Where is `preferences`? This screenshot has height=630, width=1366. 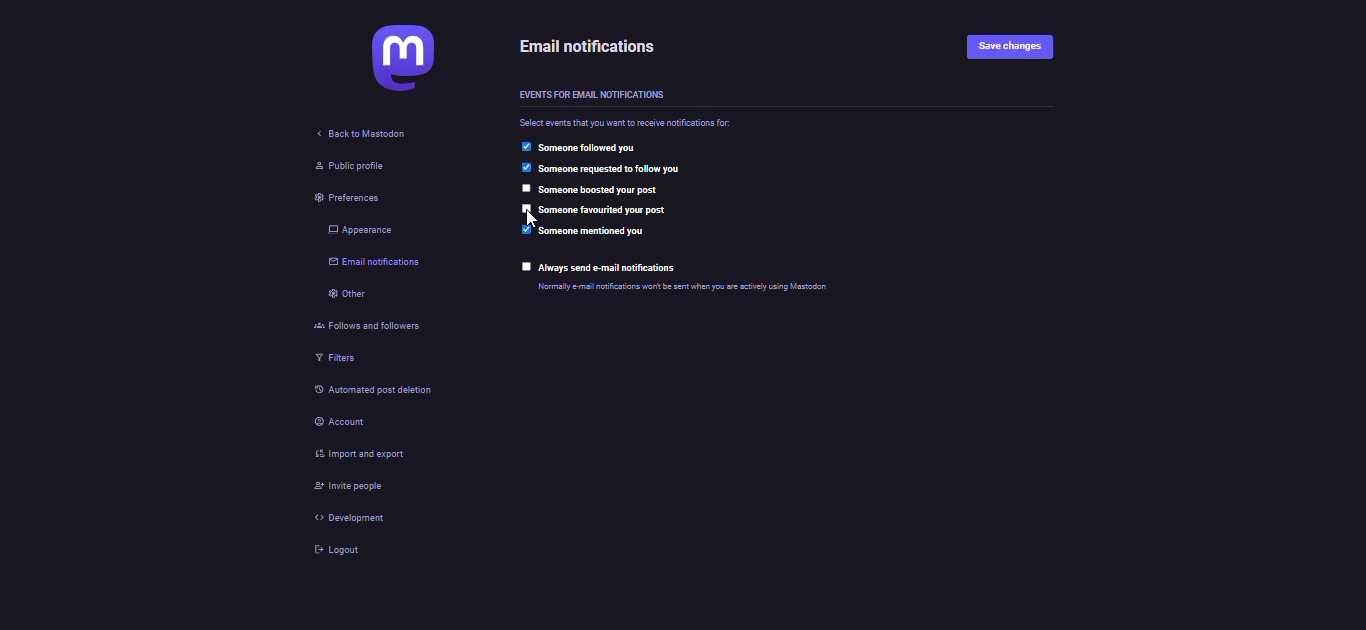 preferences is located at coordinates (337, 199).